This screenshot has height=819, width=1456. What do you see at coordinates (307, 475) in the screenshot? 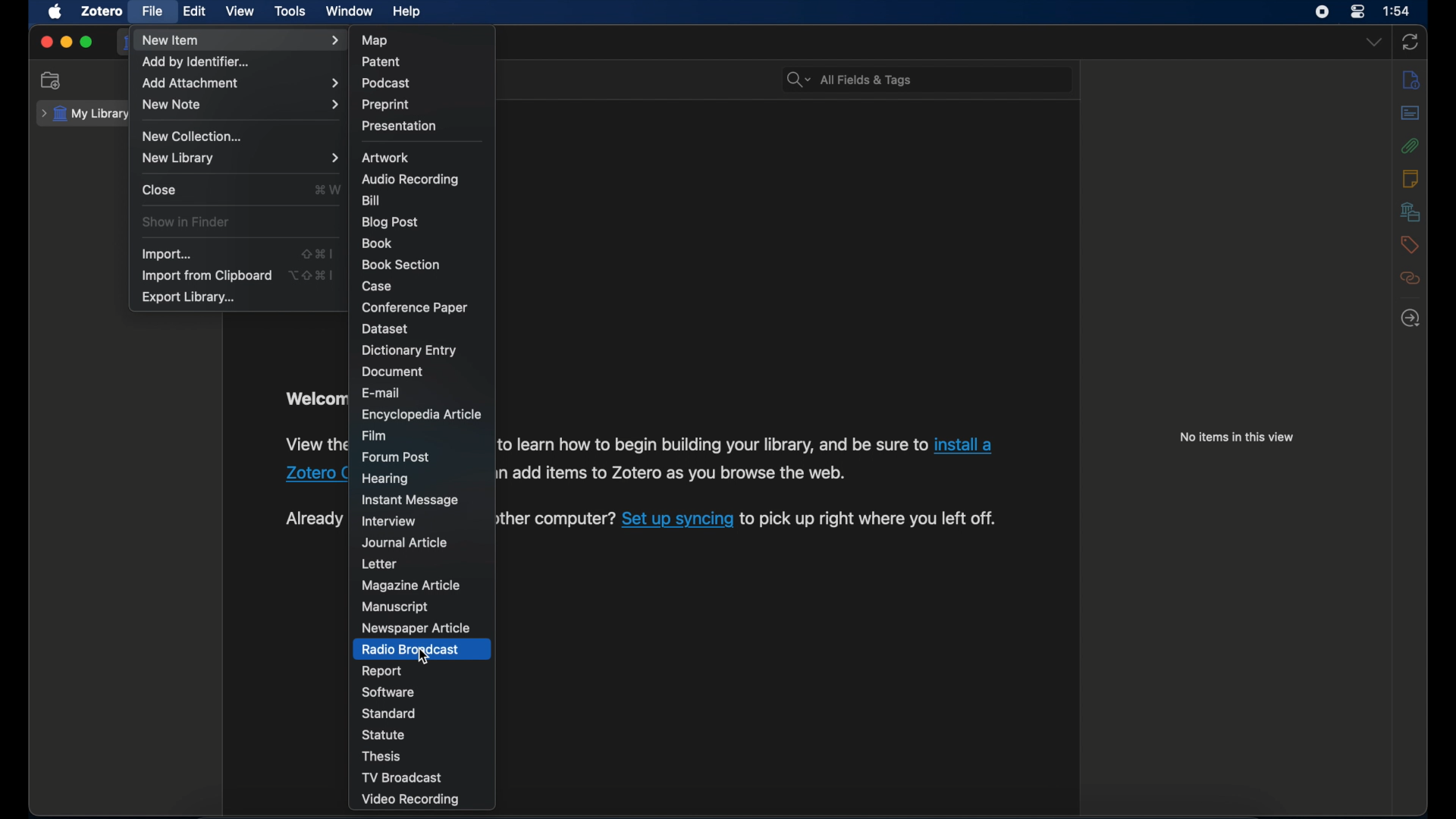
I see `Zotero ` at bounding box center [307, 475].